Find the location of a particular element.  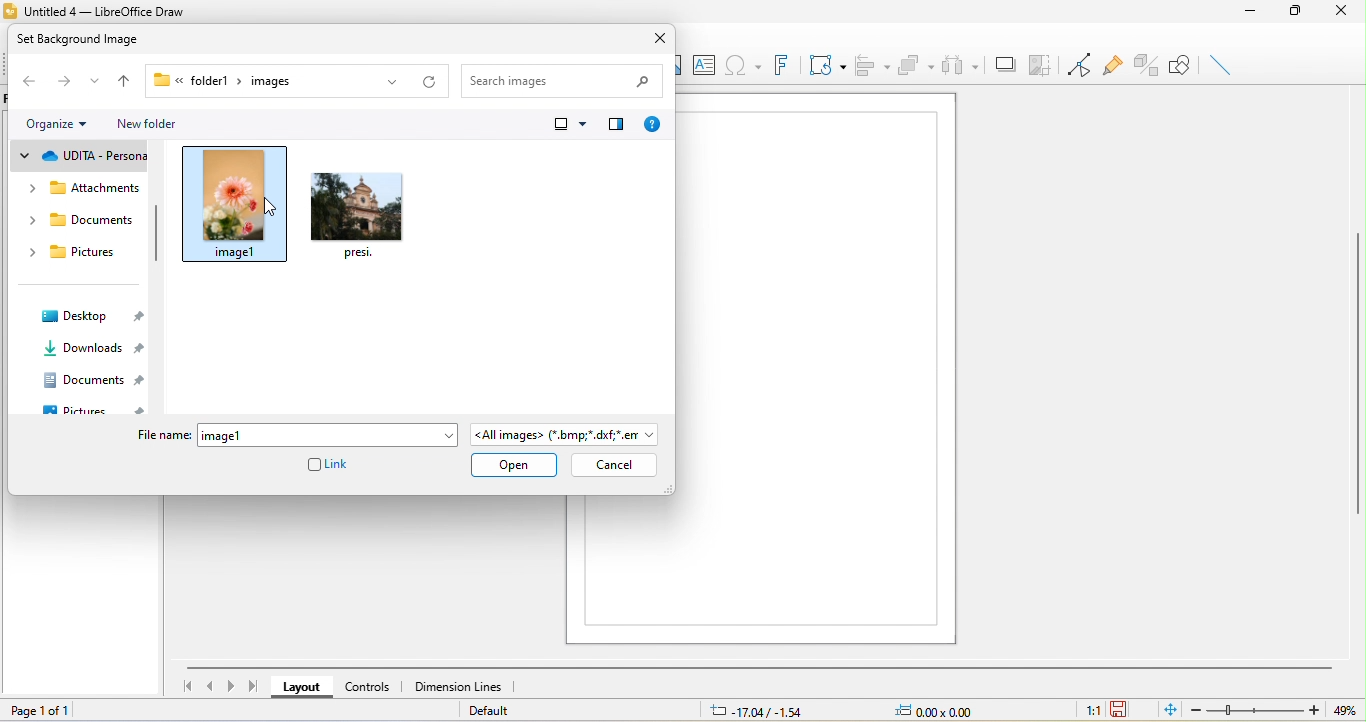

new folder is located at coordinates (152, 122).